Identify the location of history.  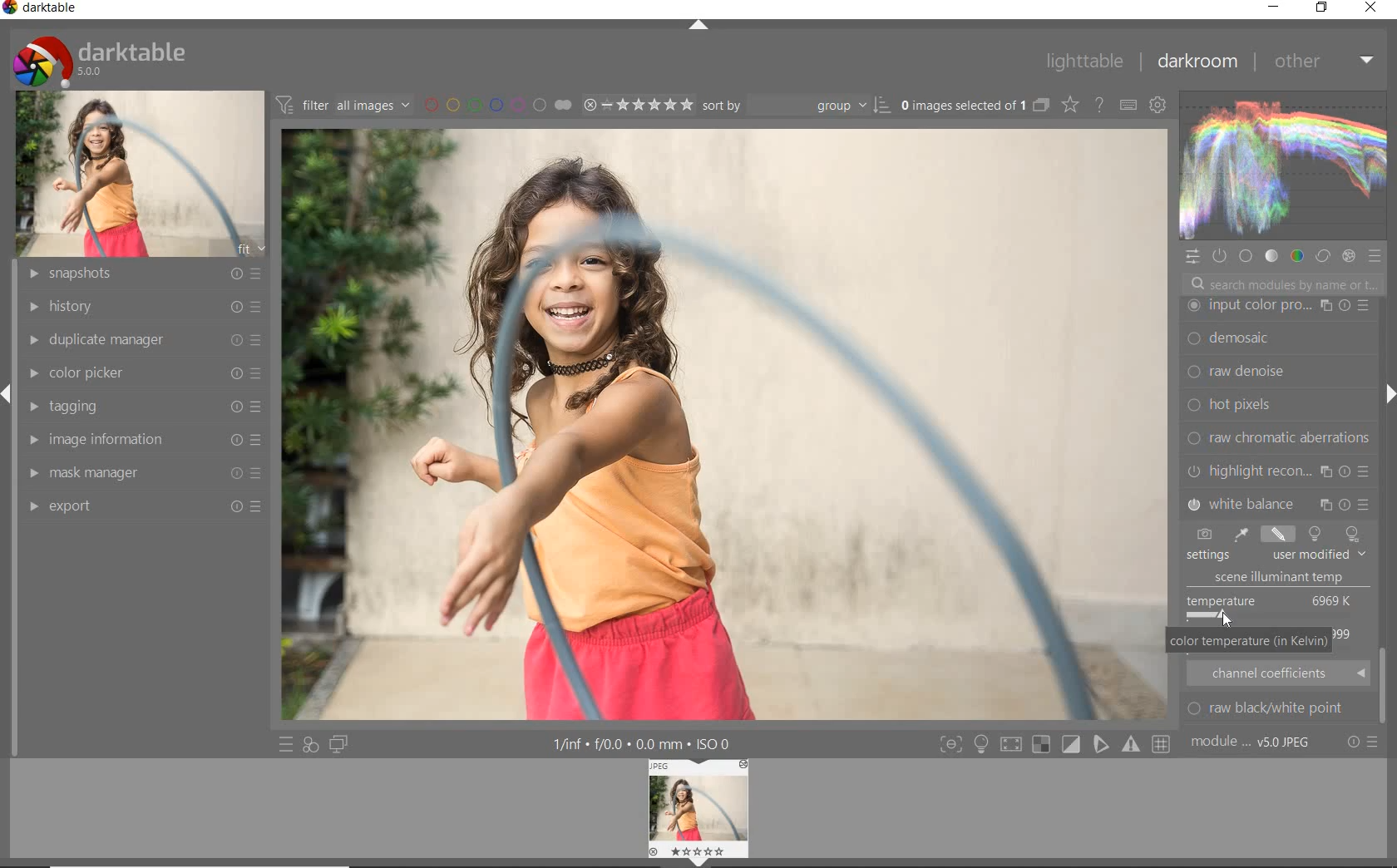
(139, 305).